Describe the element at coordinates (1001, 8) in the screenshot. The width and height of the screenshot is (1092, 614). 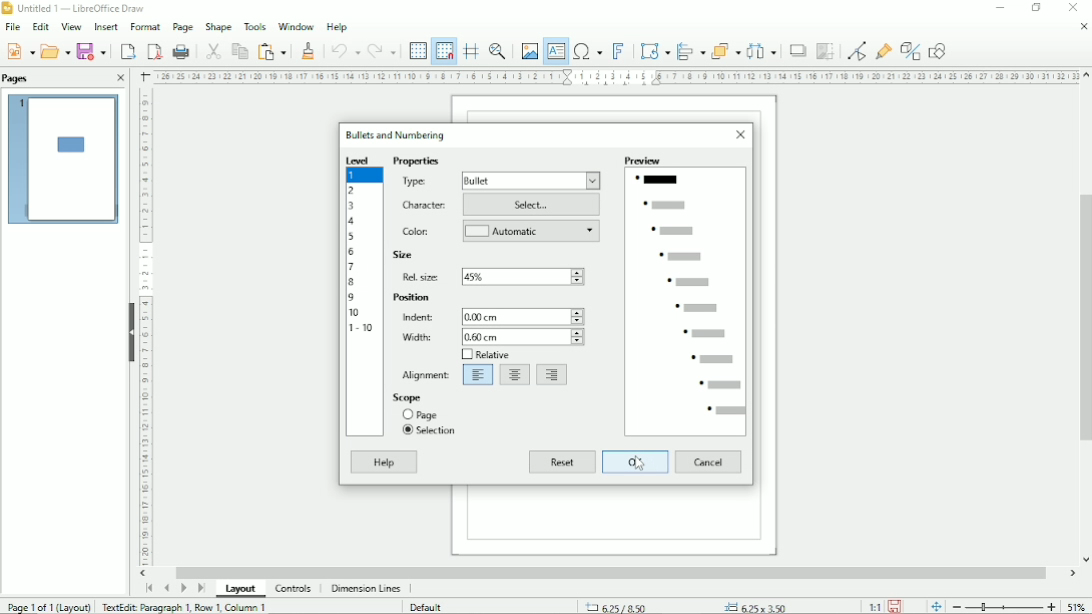
I see `Minimize` at that location.